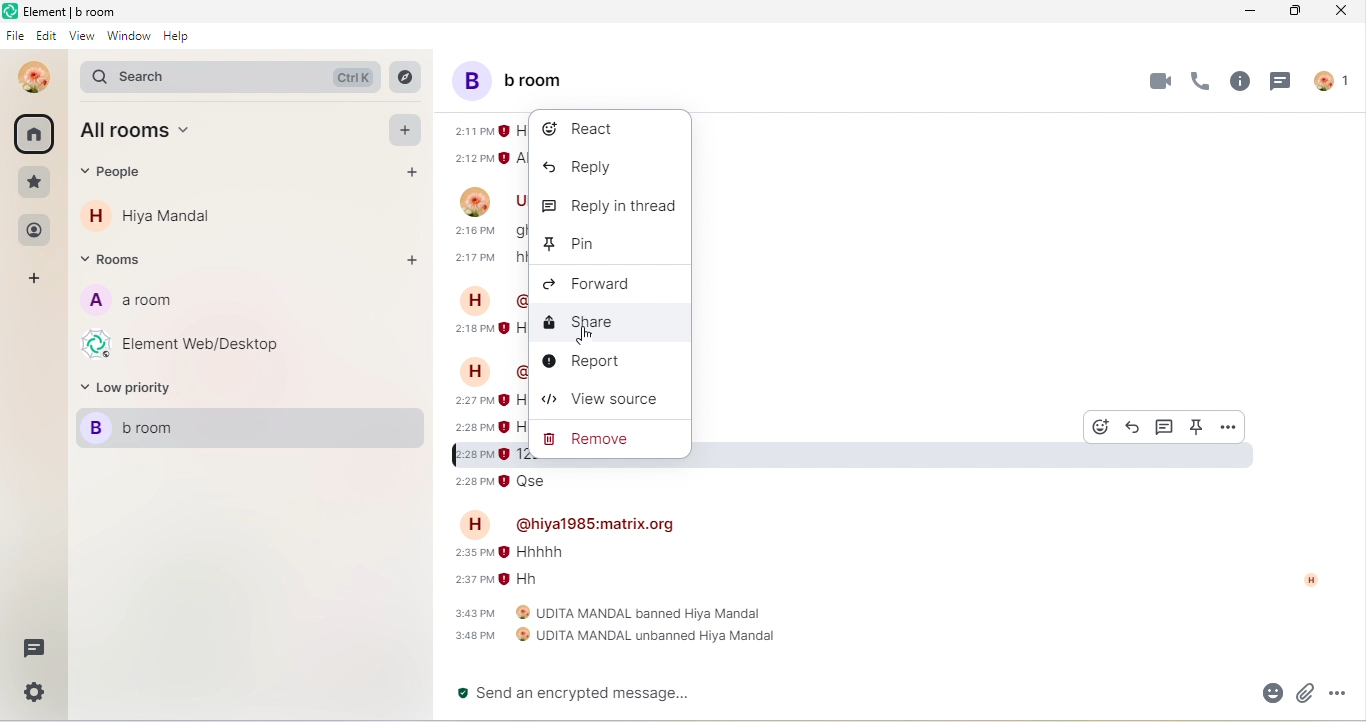 Image resolution: width=1366 pixels, height=722 pixels. Describe the element at coordinates (195, 346) in the screenshot. I see `element web/desktop` at that location.